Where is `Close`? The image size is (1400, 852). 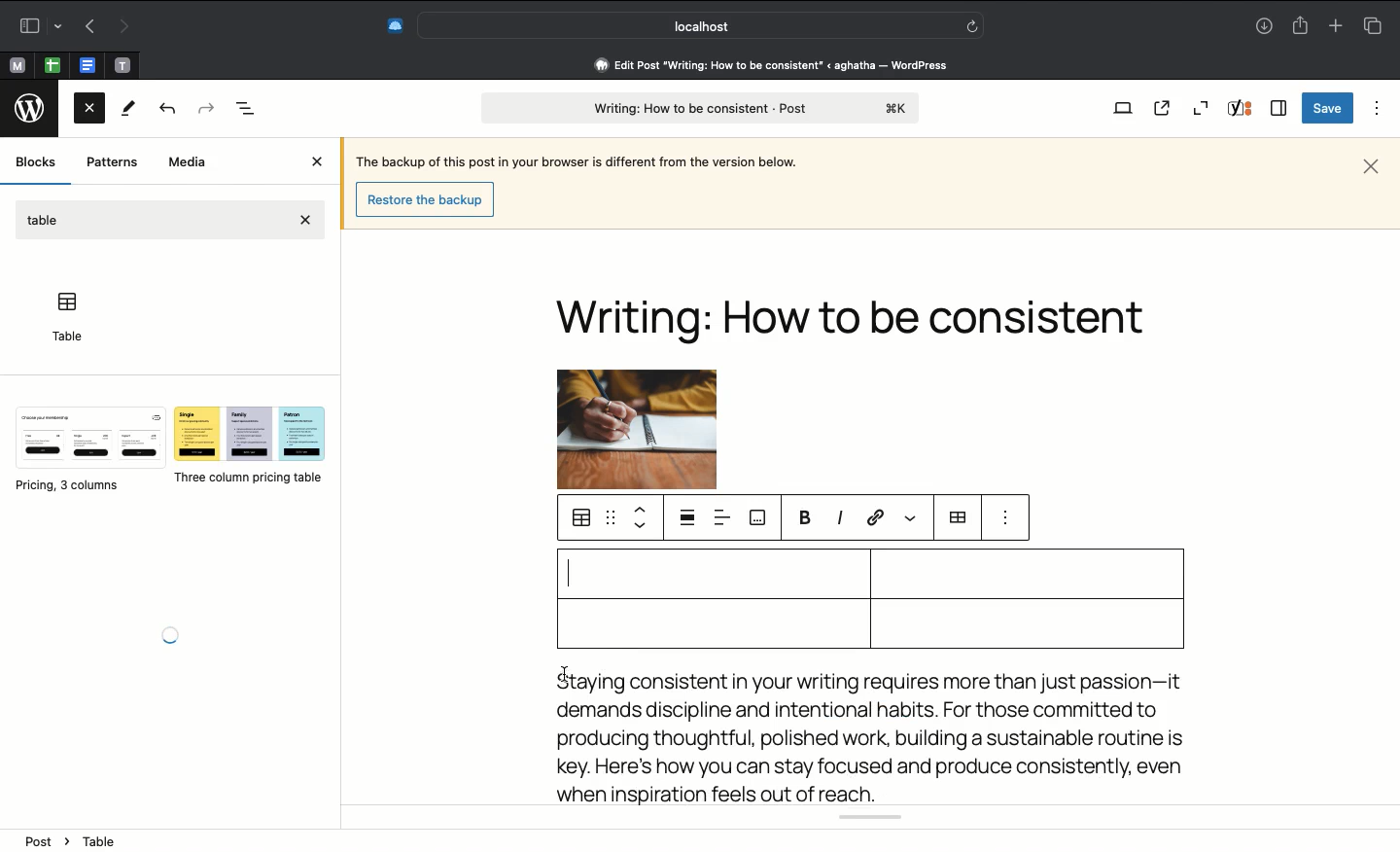
Close is located at coordinates (89, 112).